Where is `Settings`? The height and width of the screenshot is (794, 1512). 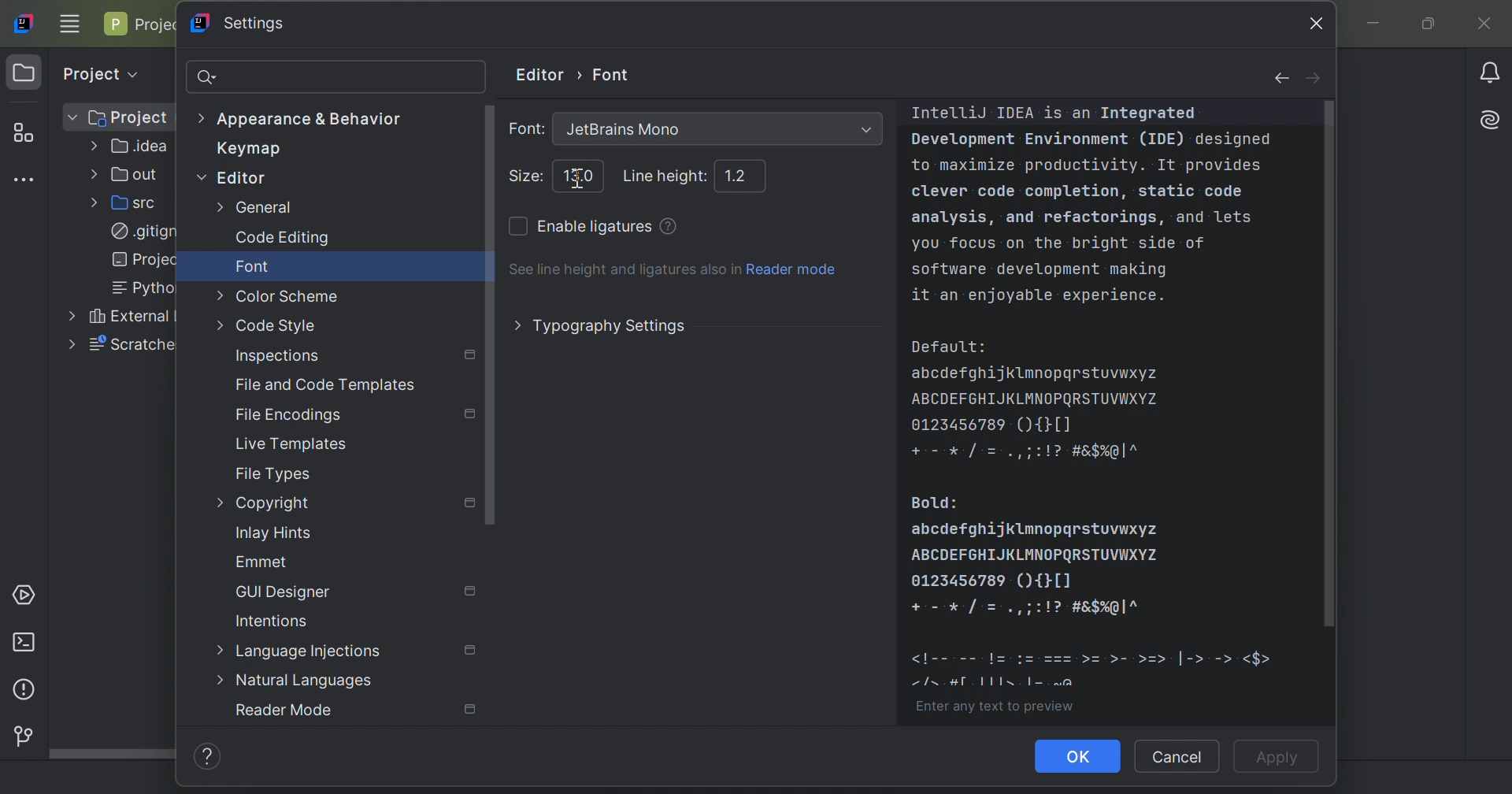
Settings is located at coordinates (249, 24).